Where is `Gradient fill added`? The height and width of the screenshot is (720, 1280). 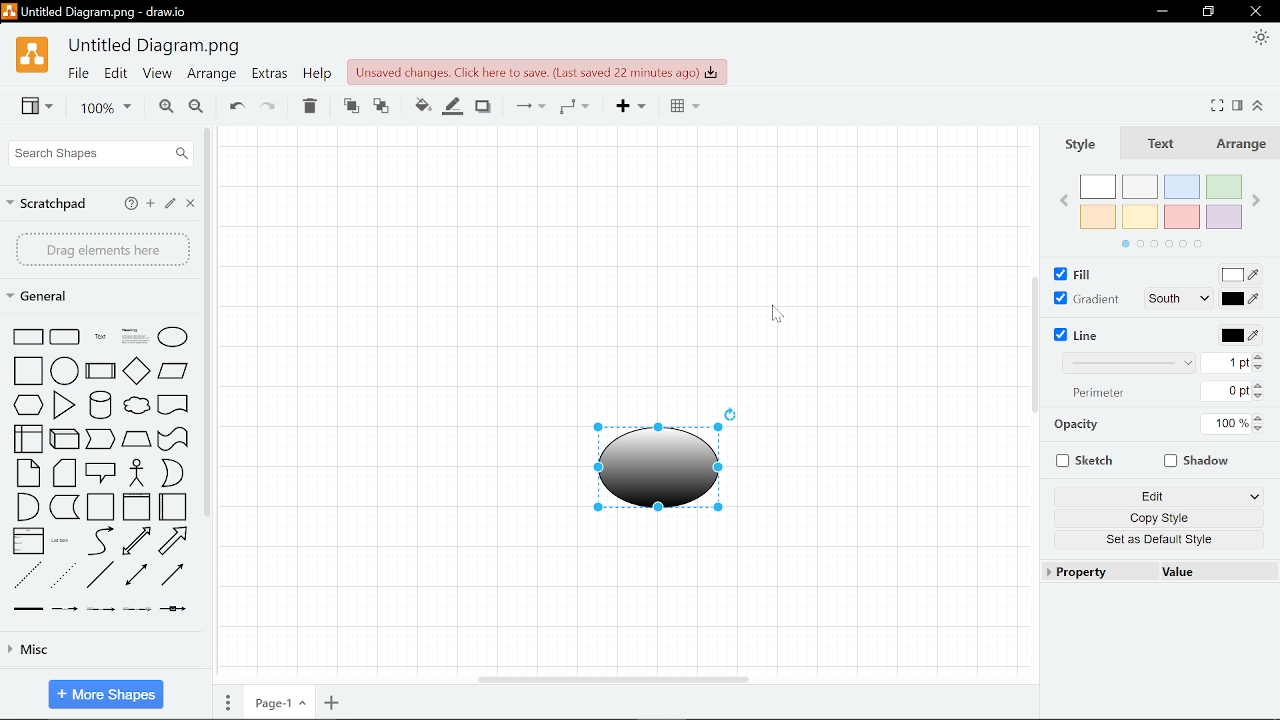
Gradient fill added is located at coordinates (660, 468).